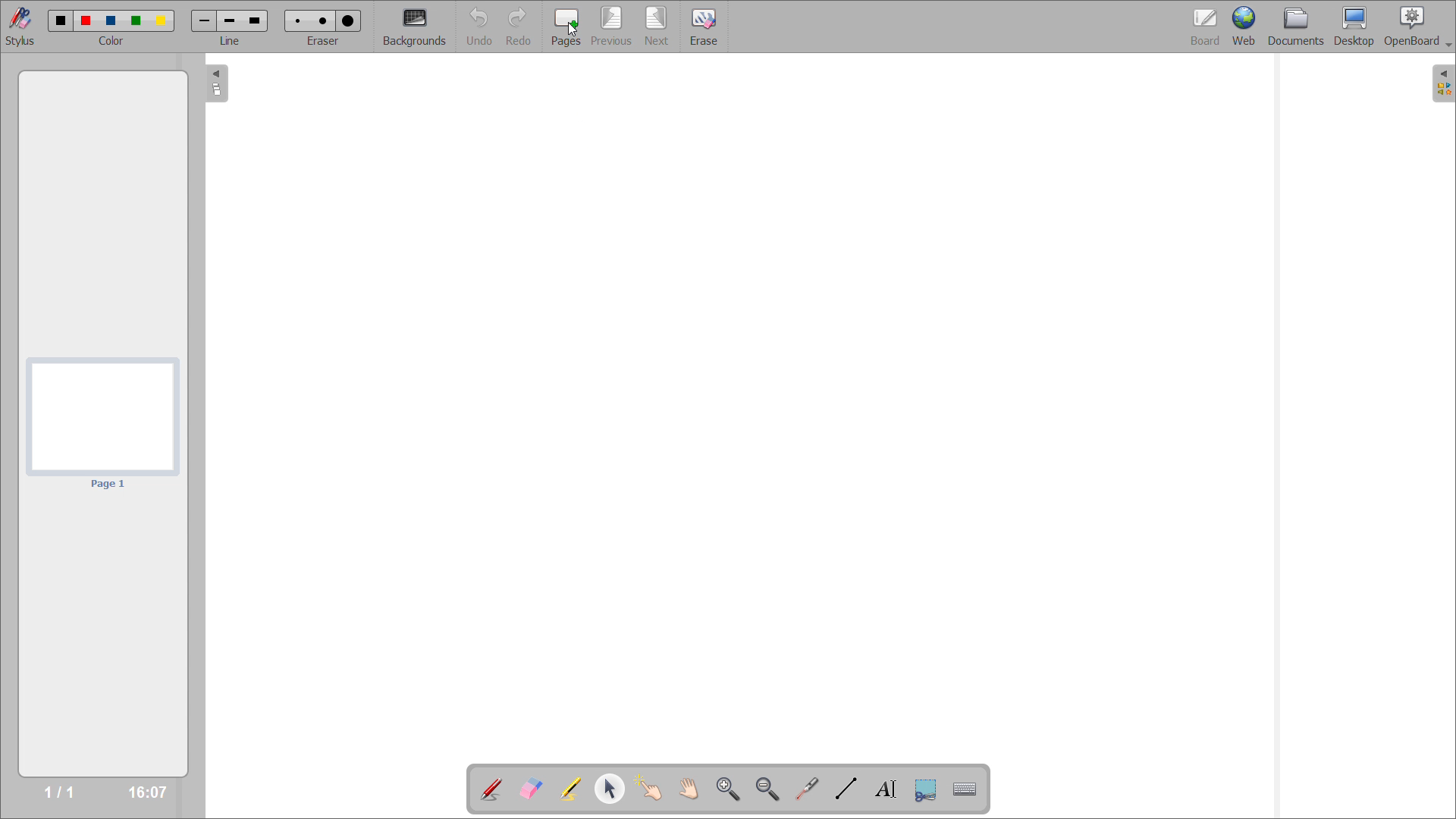 Image resolution: width=1456 pixels, height=819 pixels. What do you see at coordinates (324, 27) in the screenshot?
I see `eraser` at bounding box center [324, 27].